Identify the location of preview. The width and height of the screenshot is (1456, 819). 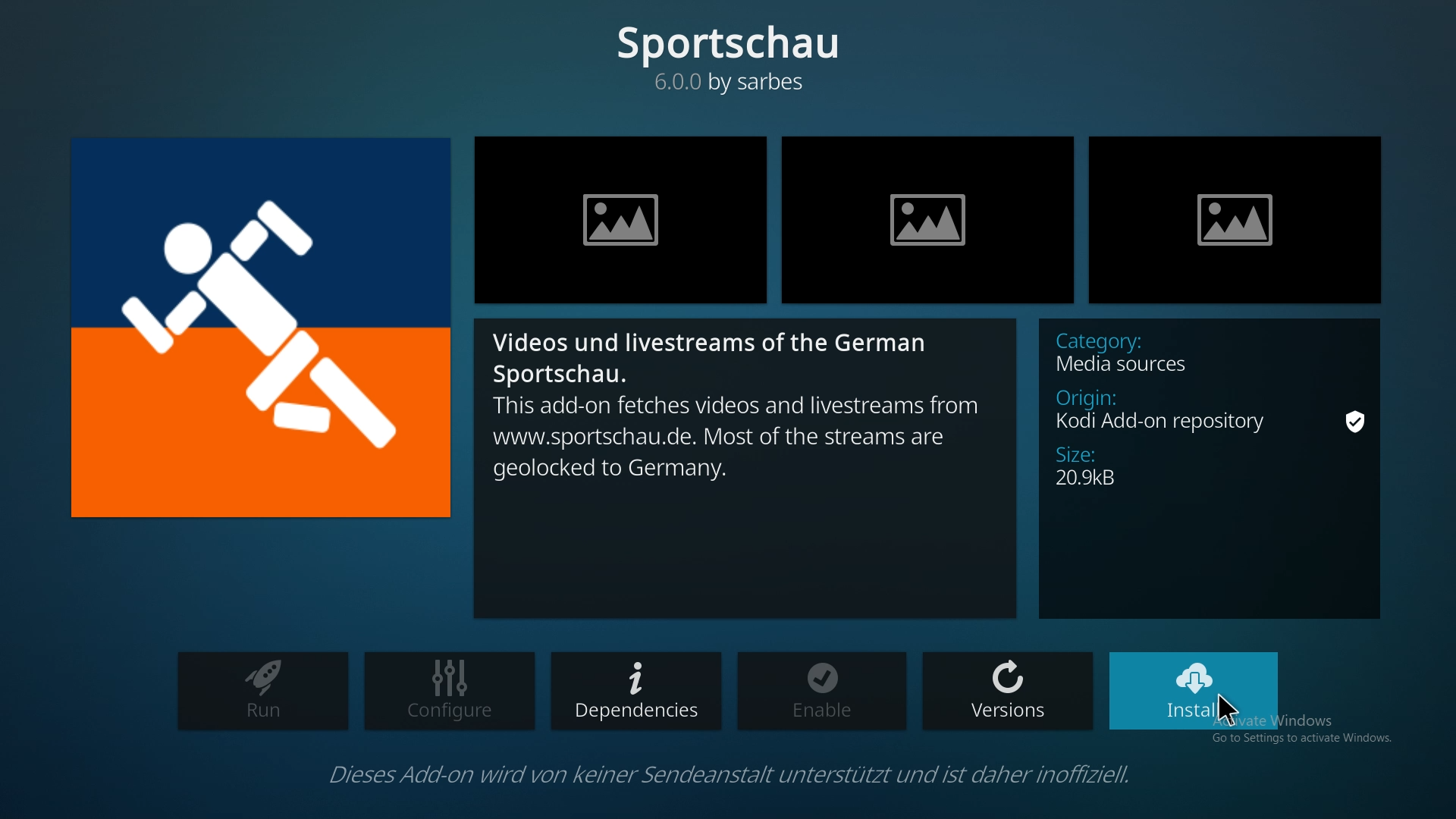
(623, 218).